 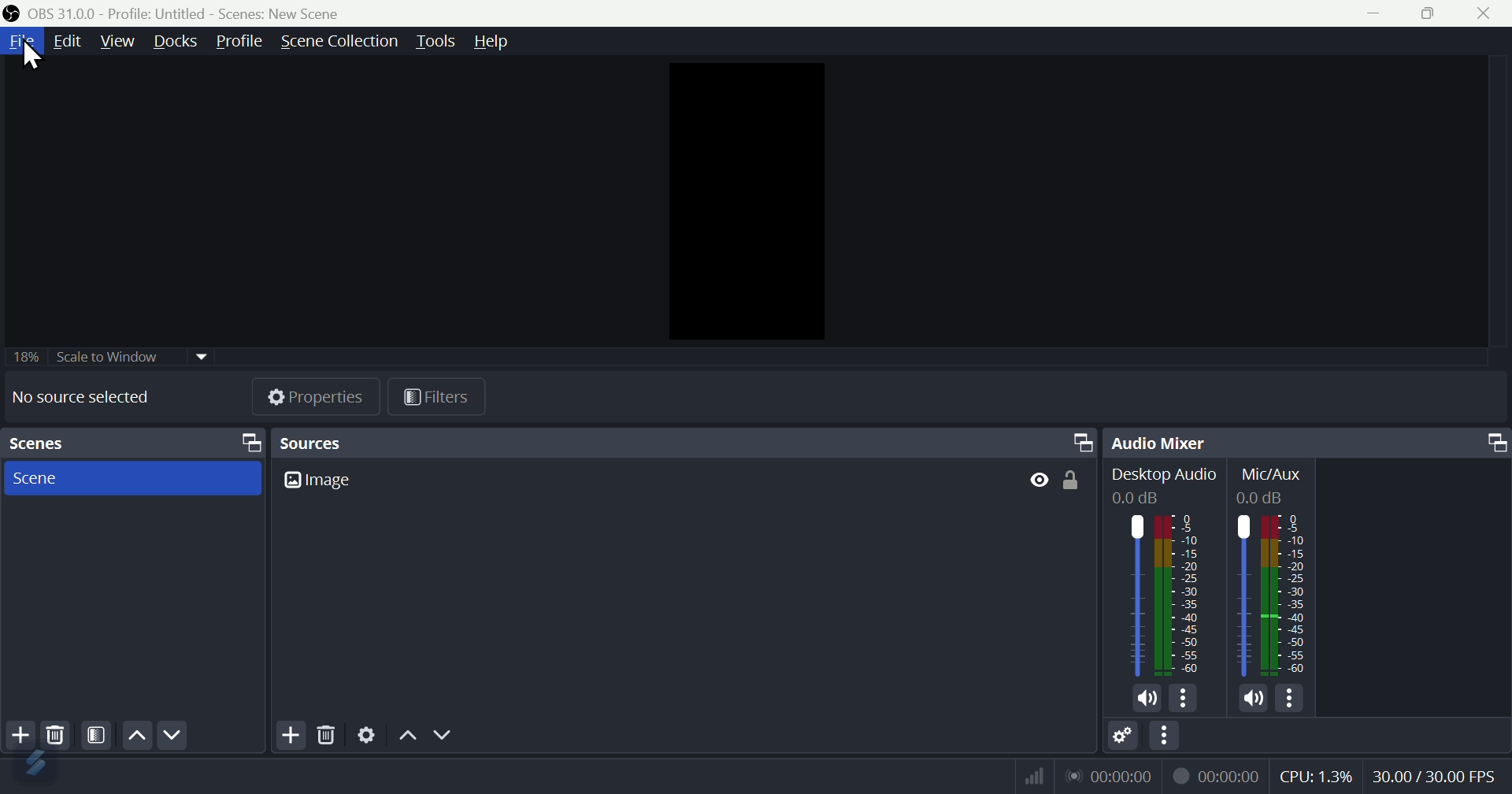 I want to click on volume, so click(x=1146, y=699).